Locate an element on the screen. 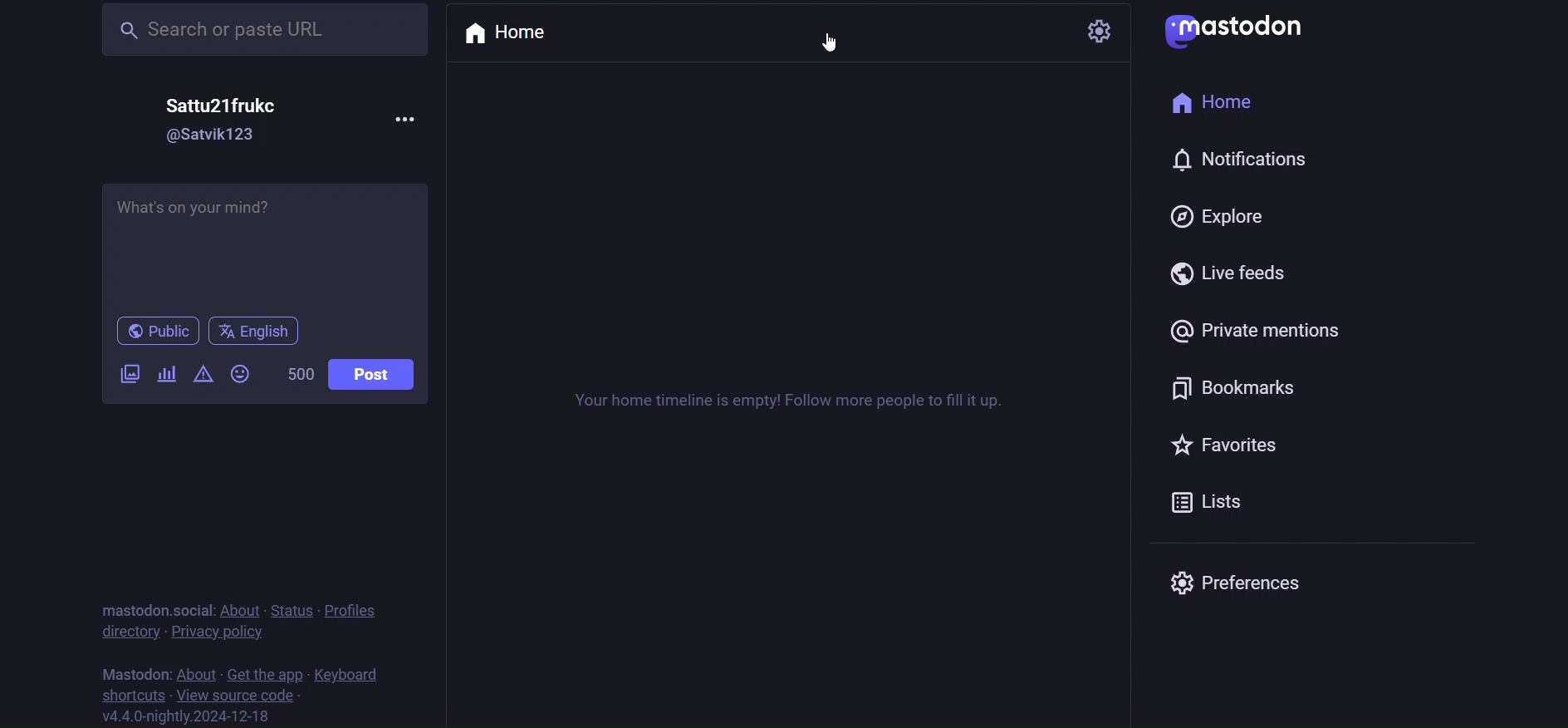  bookmark is located at coordinates (1240, 386).